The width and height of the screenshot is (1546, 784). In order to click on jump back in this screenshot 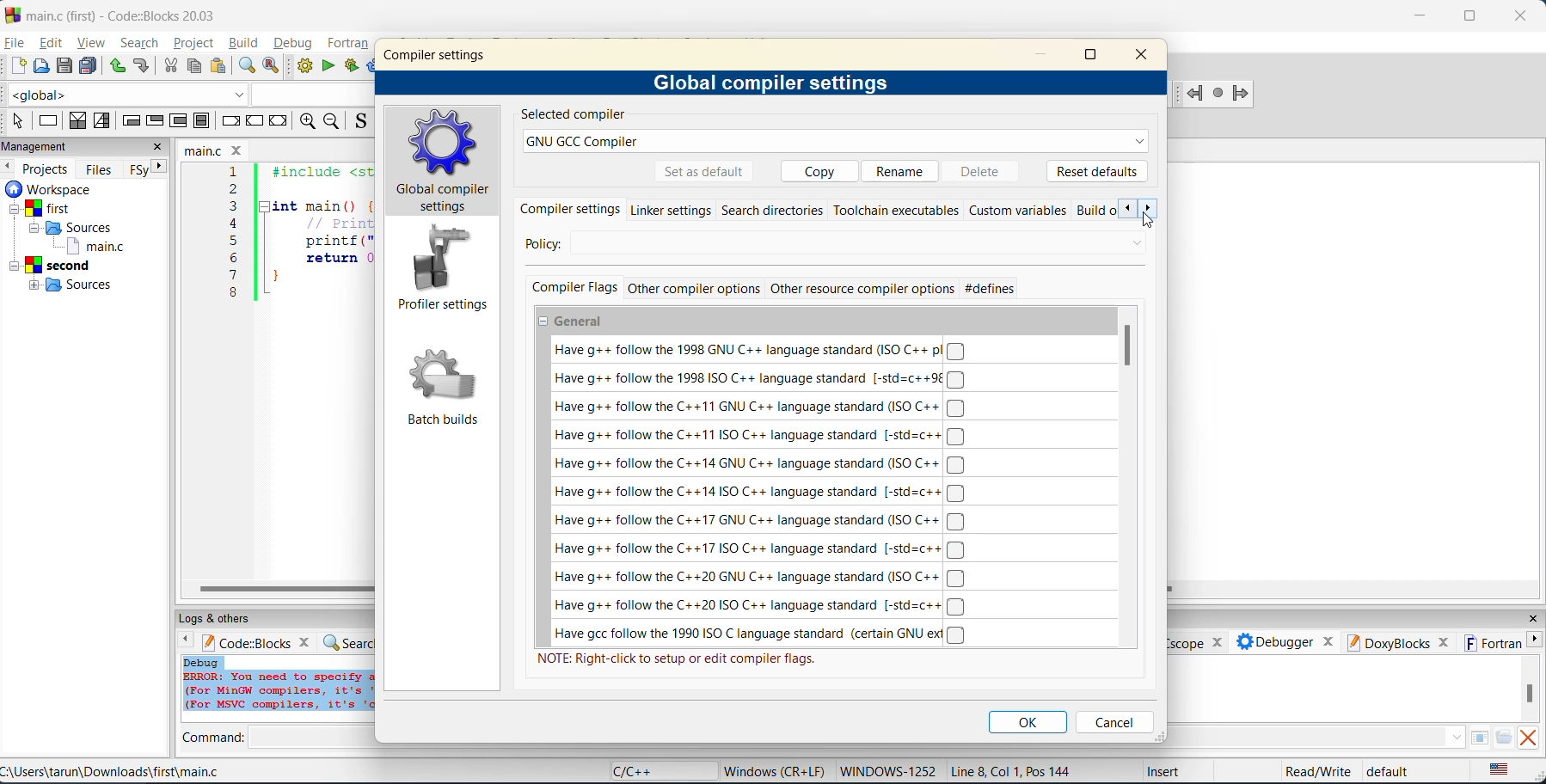, I will do `click(1195, 95)`.